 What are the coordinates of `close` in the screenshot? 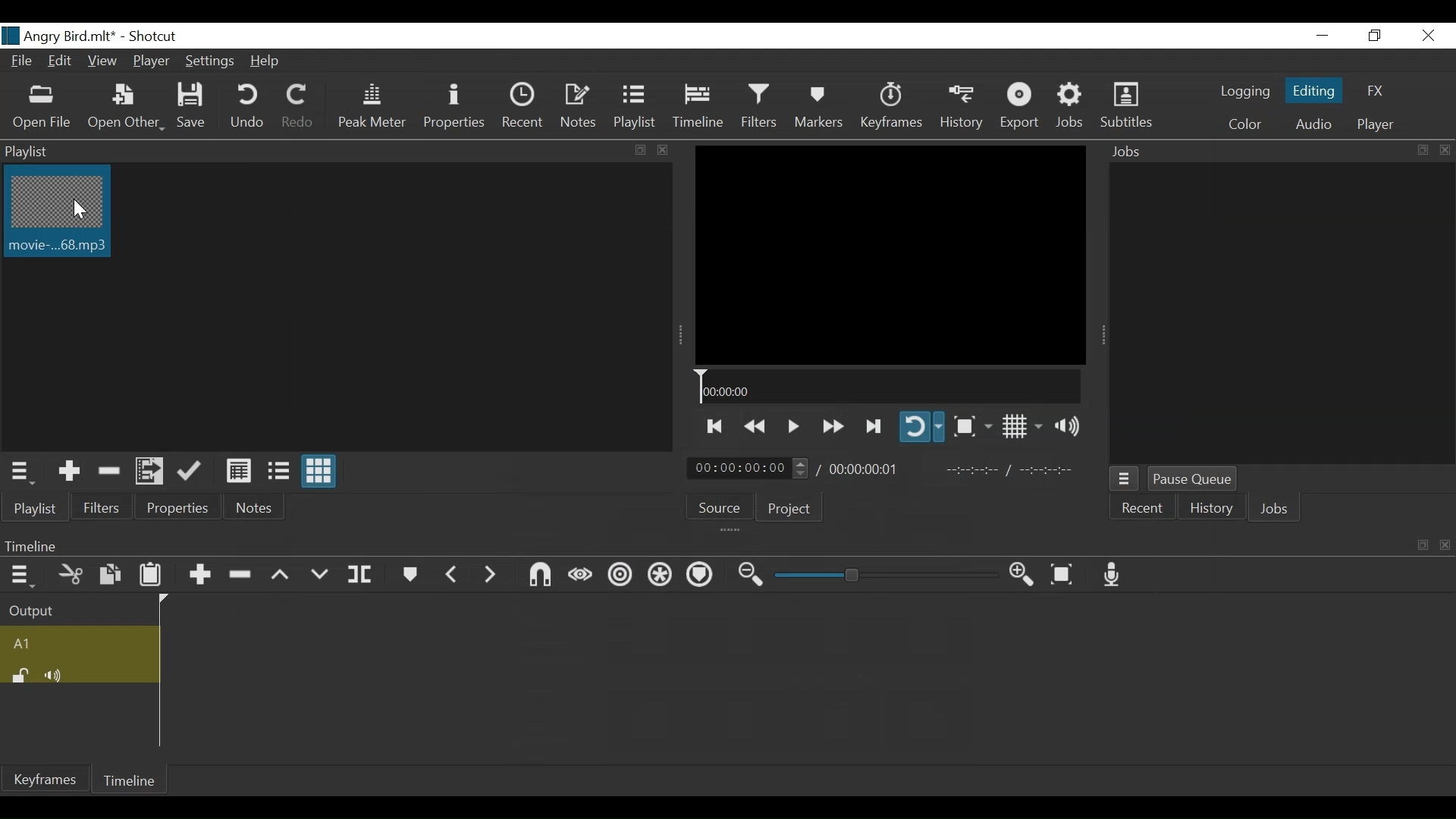 It's located at (1442, 149).